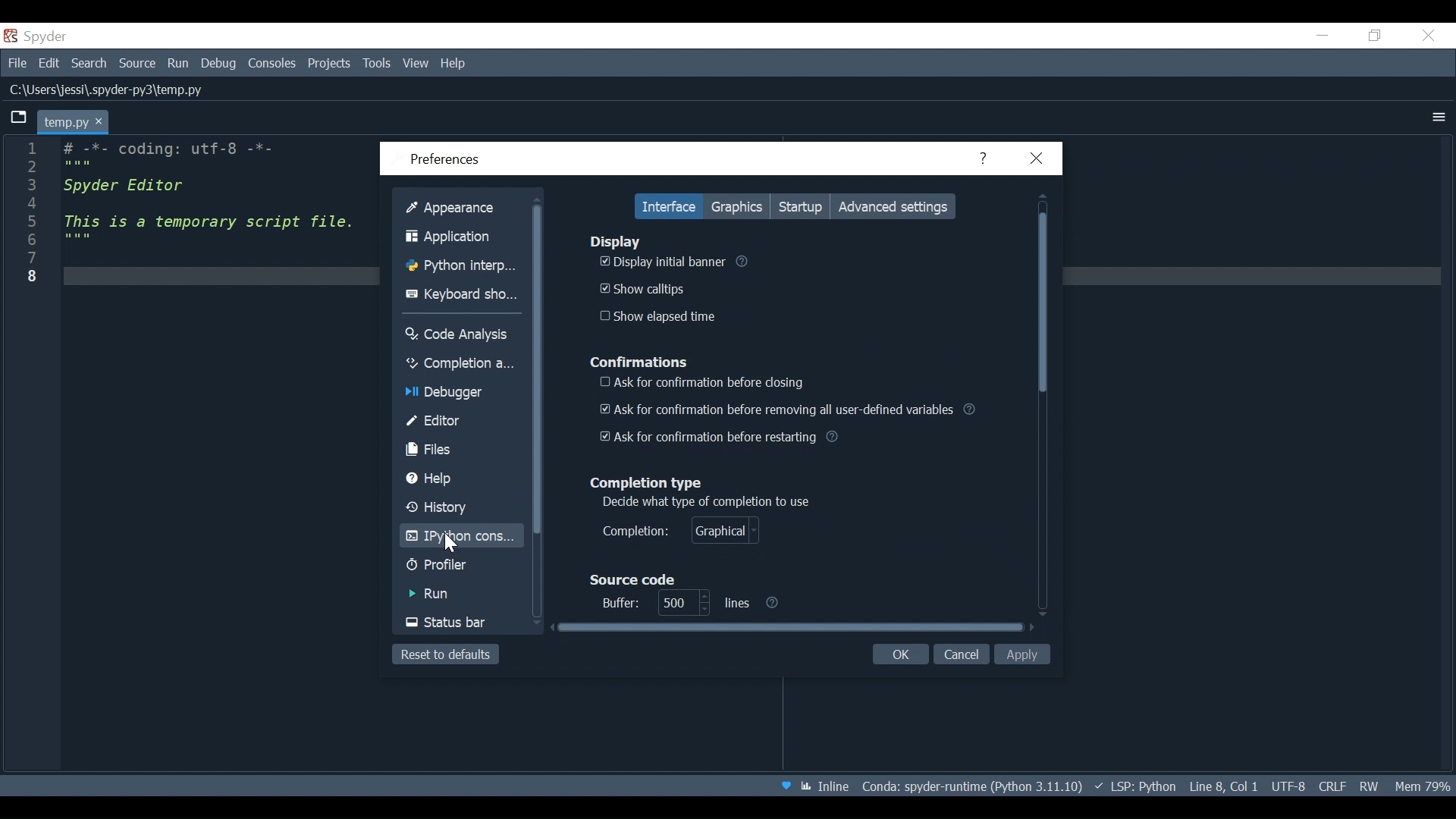  I want to click on Profiler, so click(445, 566).